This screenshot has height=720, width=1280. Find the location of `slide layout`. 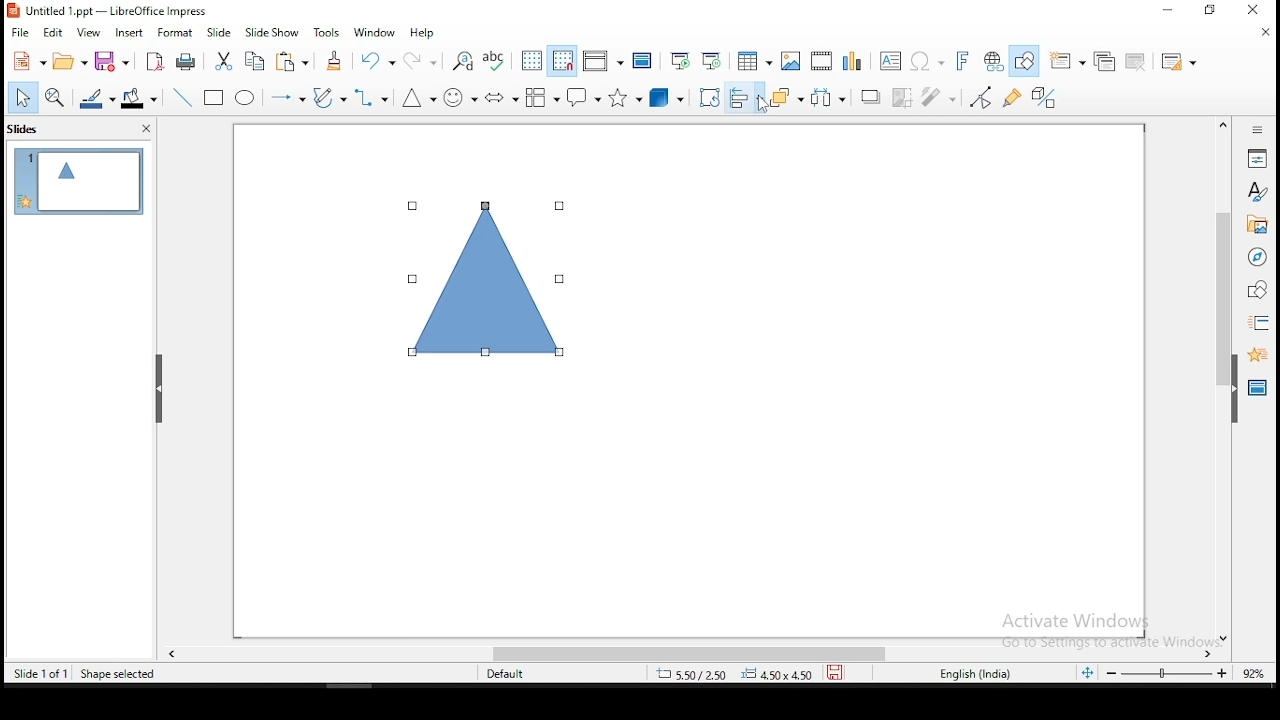

slide layout is located at coordinates (1179, 59).